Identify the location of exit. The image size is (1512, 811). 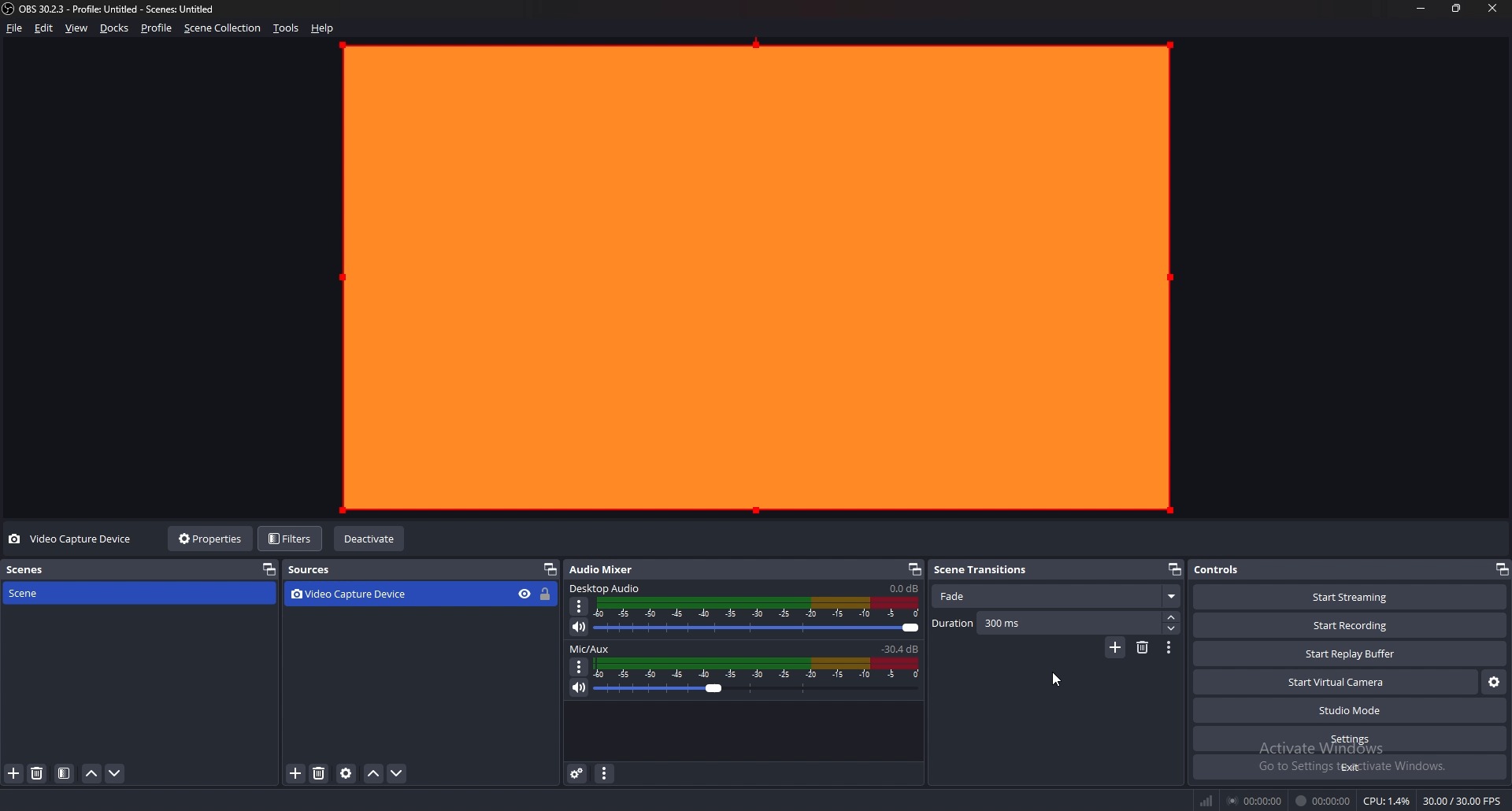
(1349, 767).